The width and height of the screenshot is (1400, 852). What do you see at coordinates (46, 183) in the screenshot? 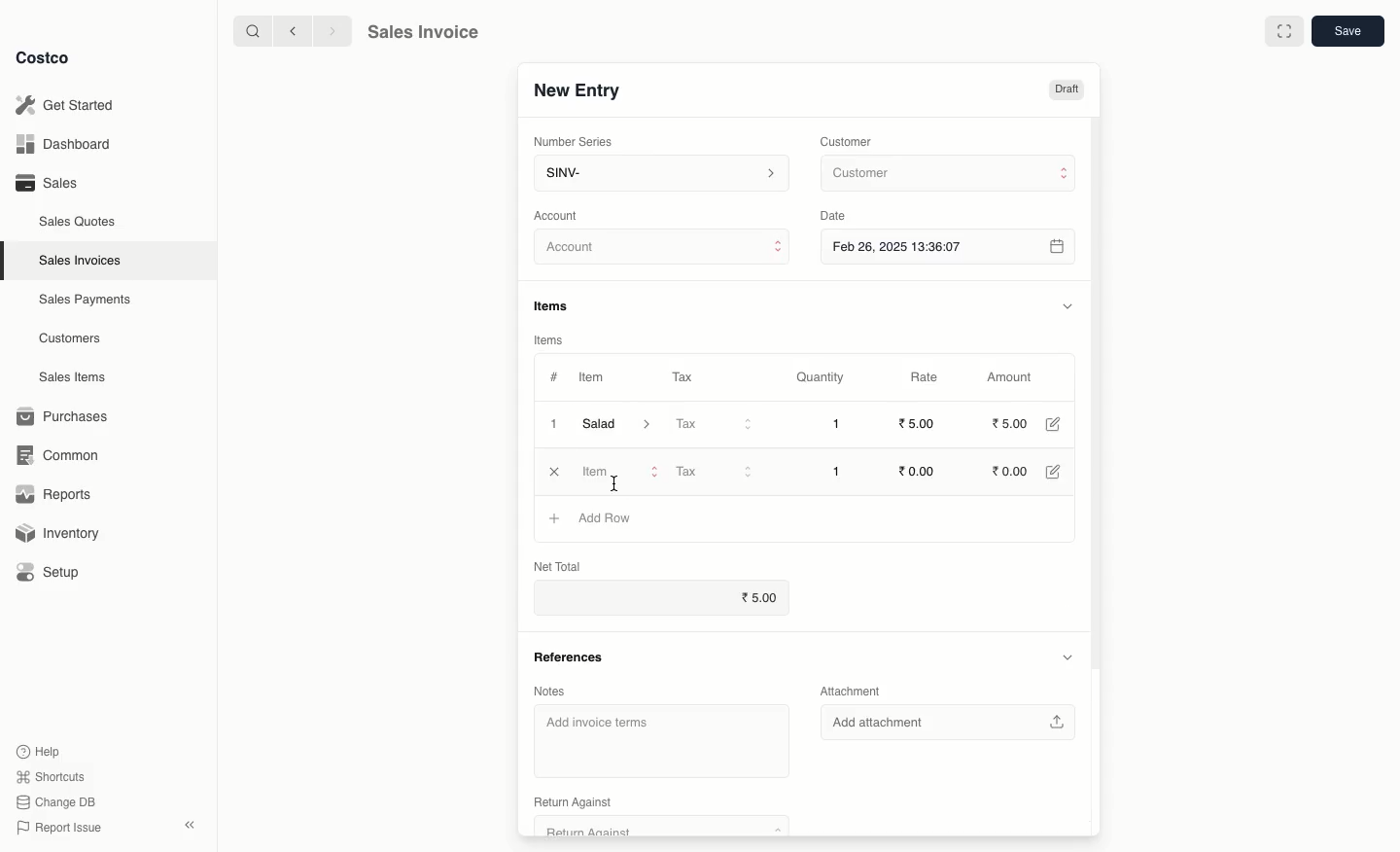
I see `Sales` at bounding box center [46, 183].